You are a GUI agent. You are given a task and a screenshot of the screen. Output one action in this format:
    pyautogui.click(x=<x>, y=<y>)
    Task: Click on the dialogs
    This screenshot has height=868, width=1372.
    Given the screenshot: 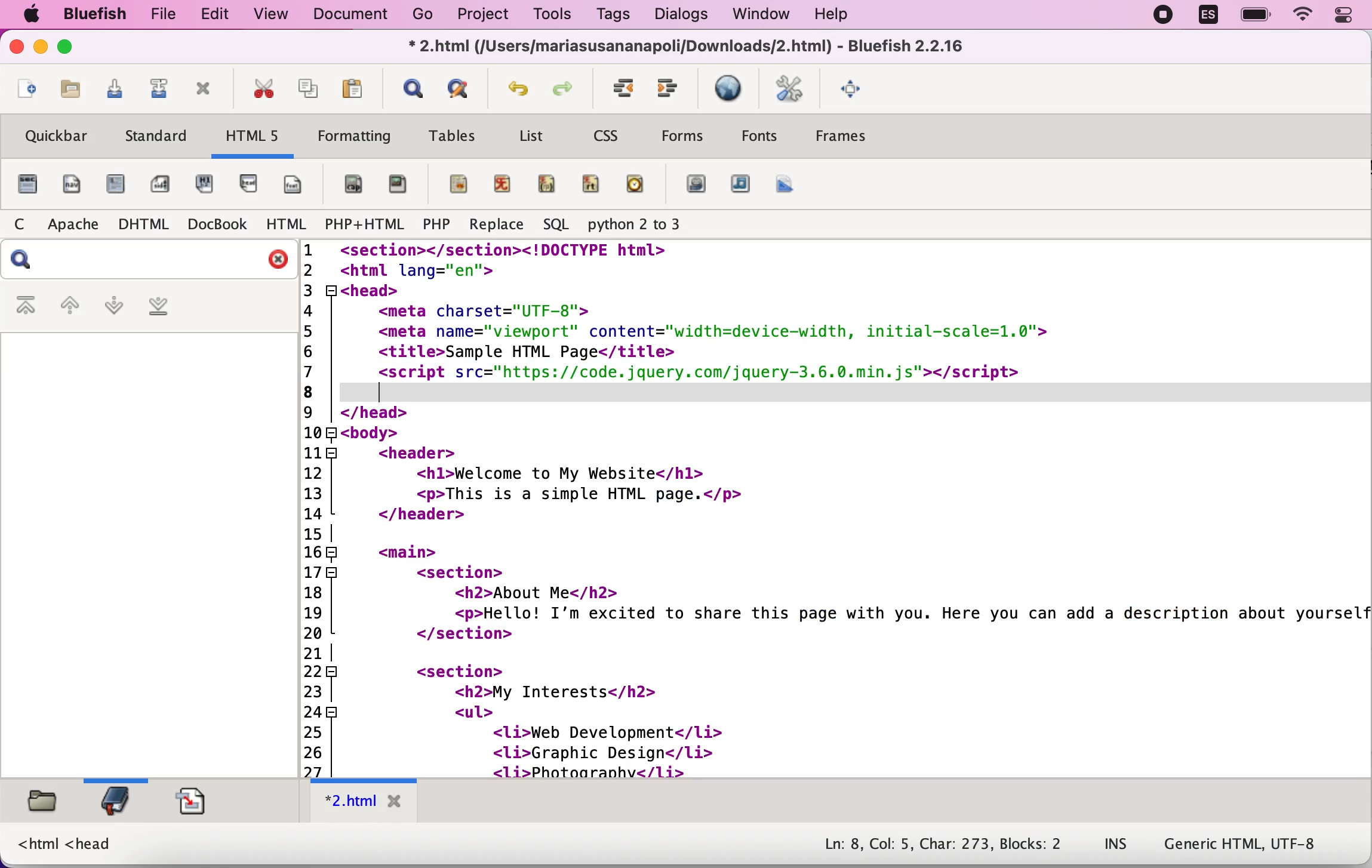 What is the action you would take?
    pyautogui.click(x=682, y=14)
    